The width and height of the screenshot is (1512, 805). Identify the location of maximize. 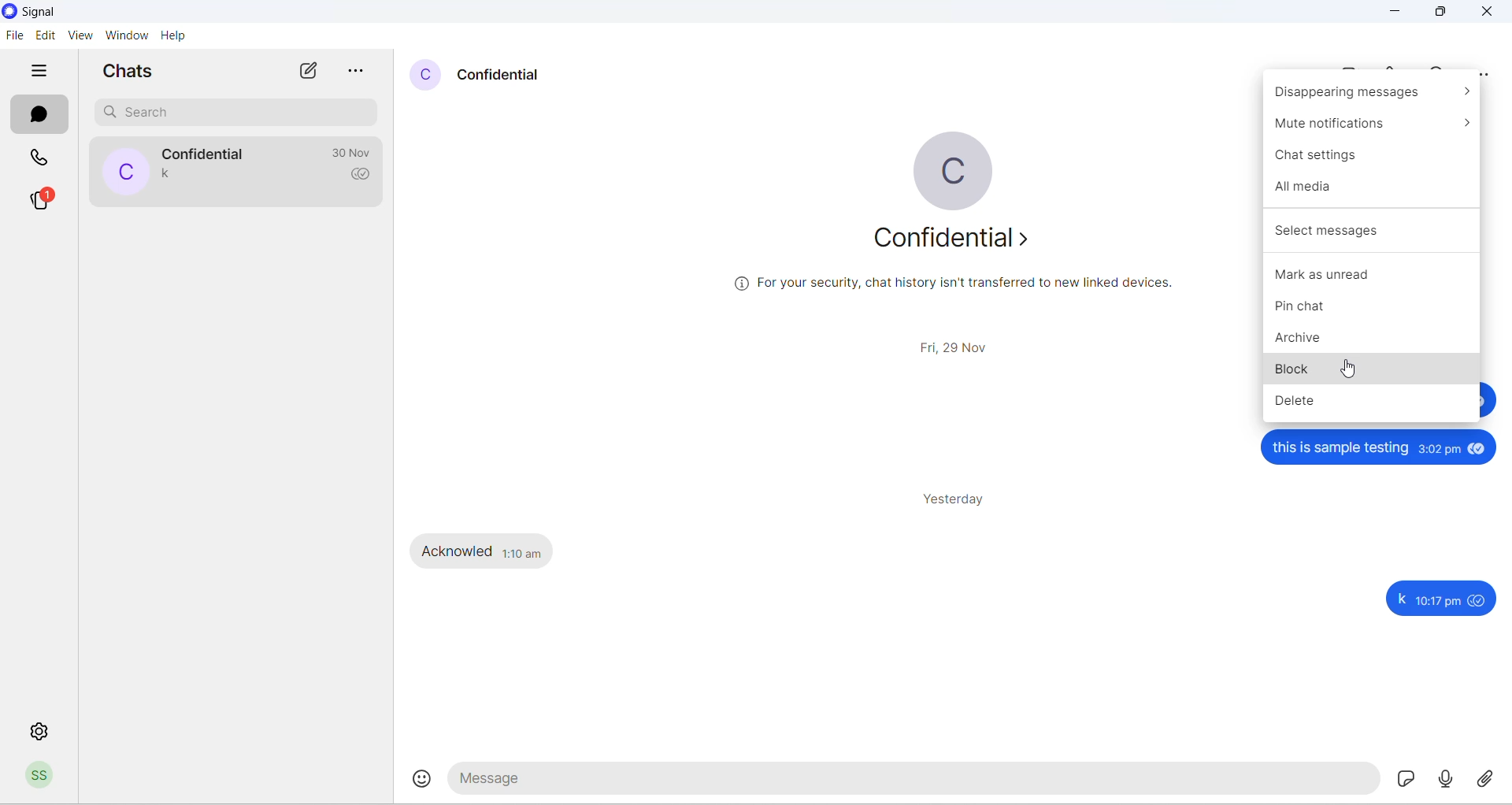
(1440, 14).